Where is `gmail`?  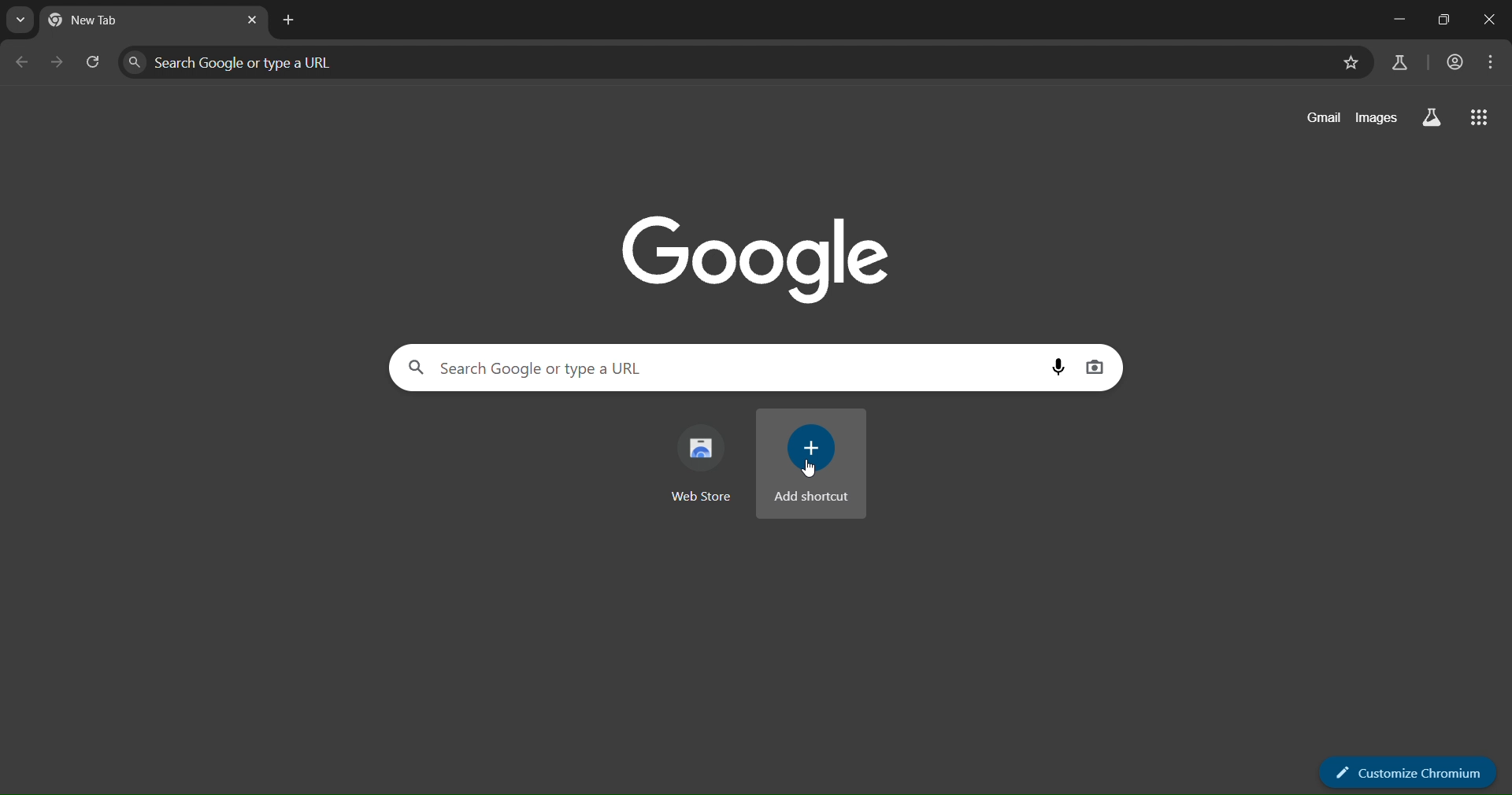 gmail is located at coordinates (1325, 117).